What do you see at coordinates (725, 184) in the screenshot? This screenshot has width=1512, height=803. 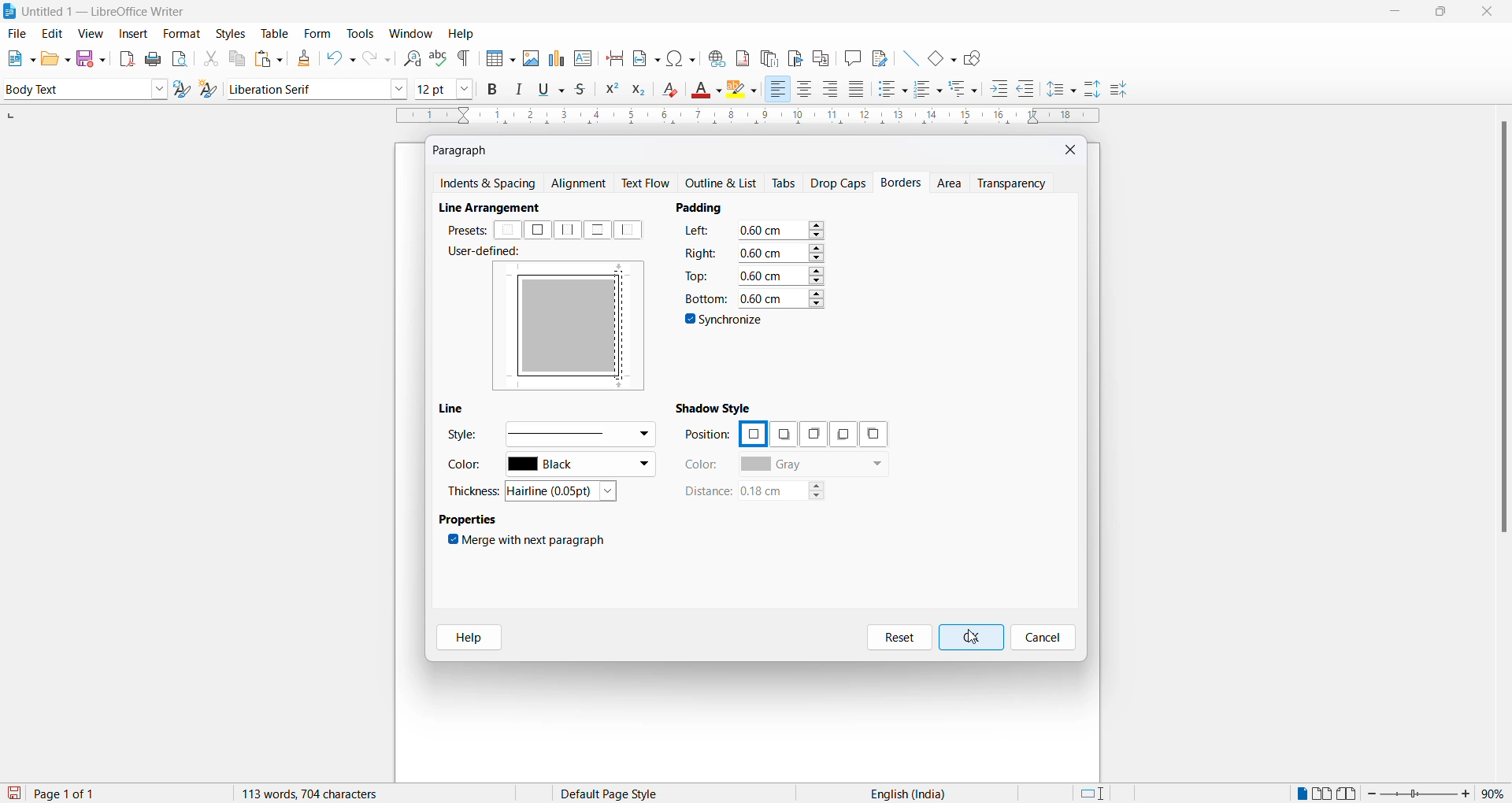 I see `outline` at bounding box center [725, 184].